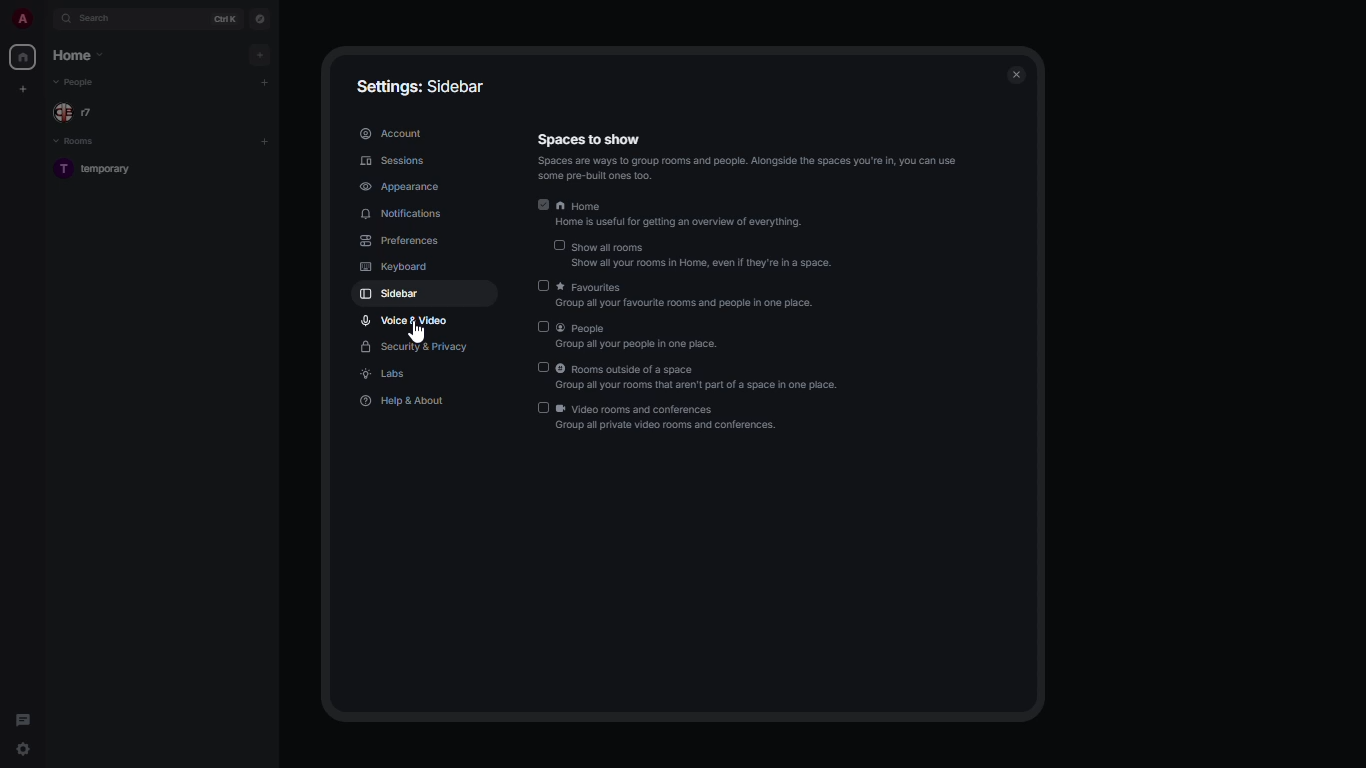 This screenshot has height=768, width=1366. What do you see at coordinates (102, 171) in the screenshot?
I see `room` at bounding box center [102, 171].